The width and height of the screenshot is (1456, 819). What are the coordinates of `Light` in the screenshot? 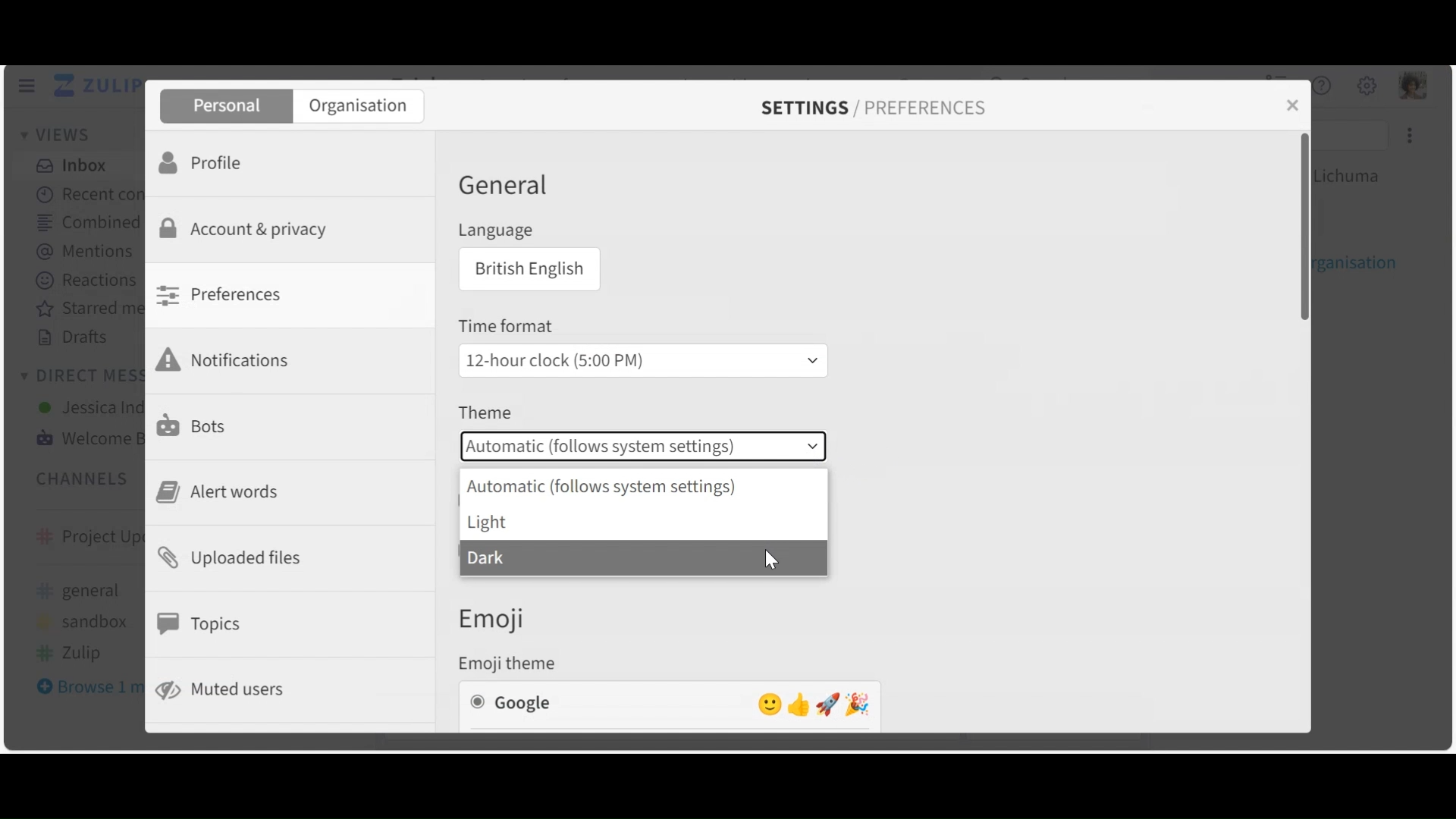 It's located at (640, 522).